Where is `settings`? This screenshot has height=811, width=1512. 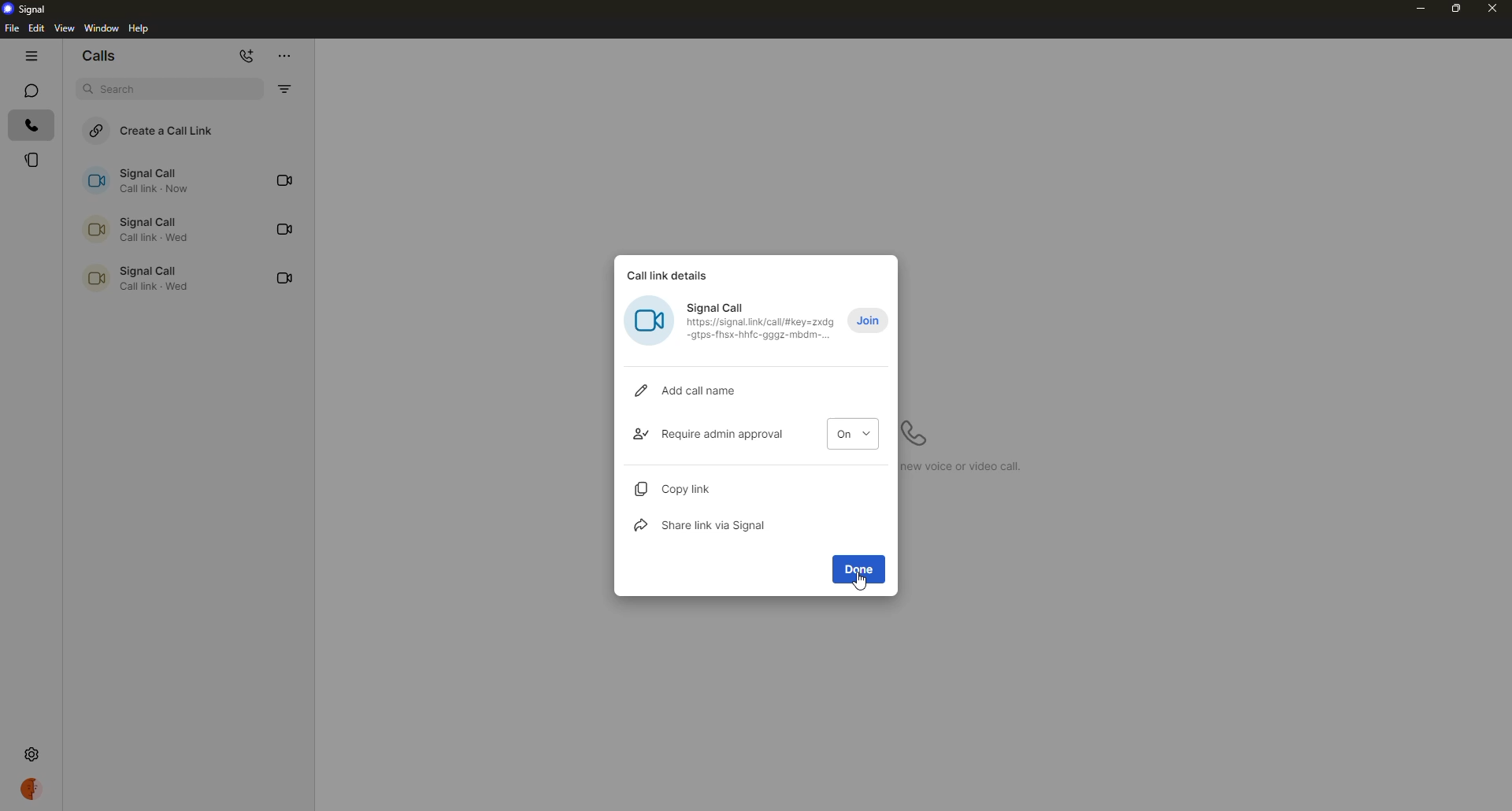 settings is located at coordinates (31, 754).